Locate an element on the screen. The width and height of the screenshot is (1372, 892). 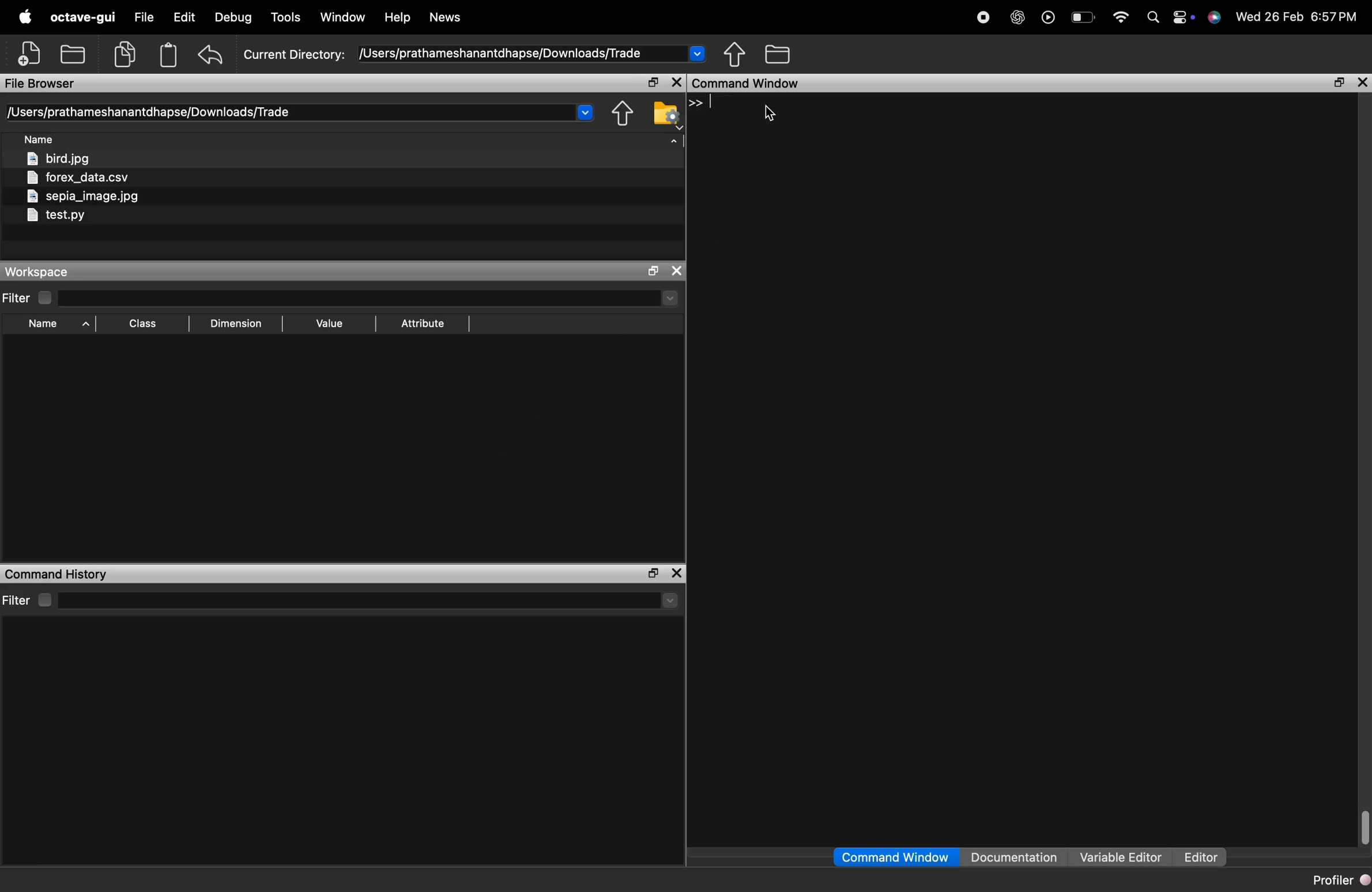
search is located at coordinates (1155, 18).